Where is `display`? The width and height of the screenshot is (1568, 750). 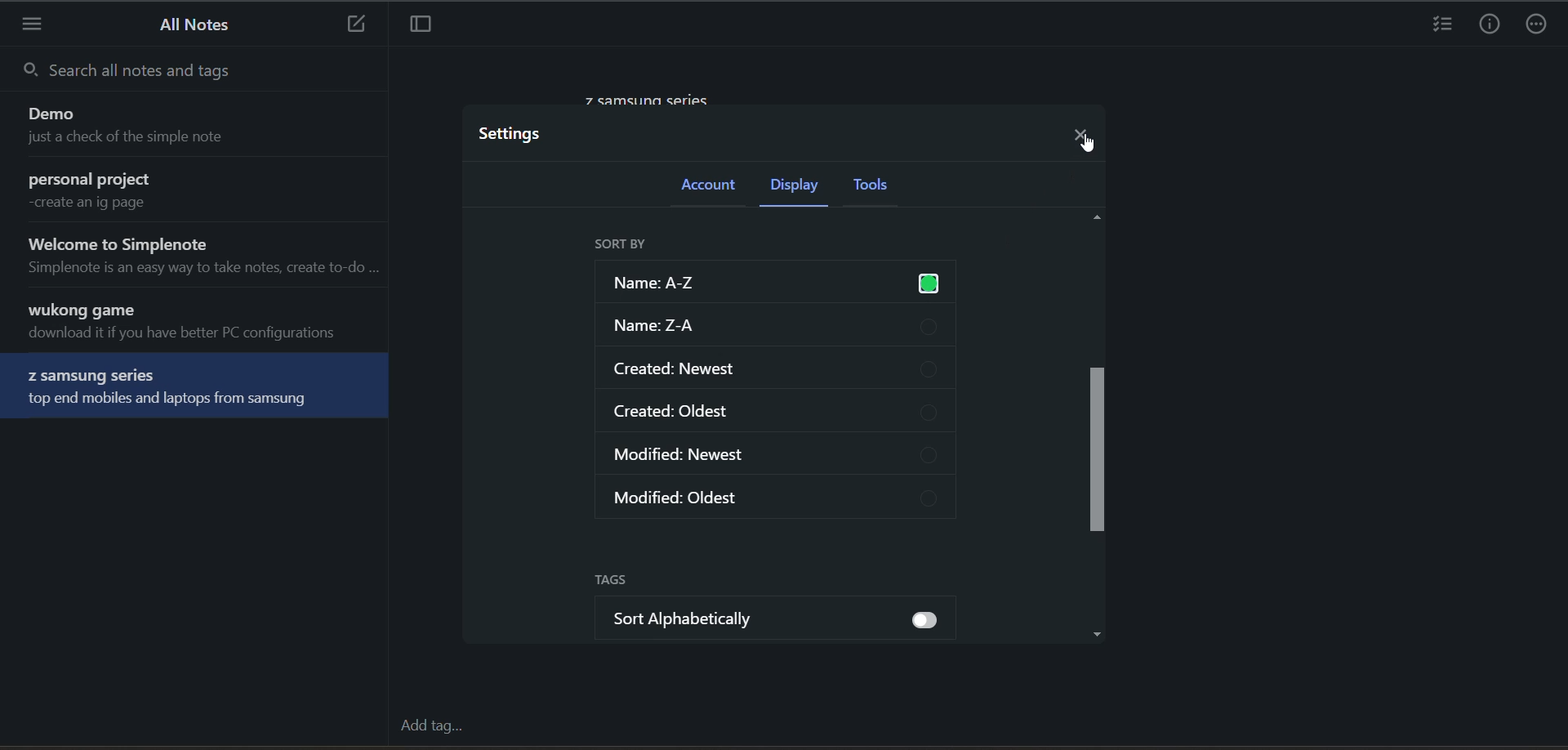 display is located at coordinates (800, 185).